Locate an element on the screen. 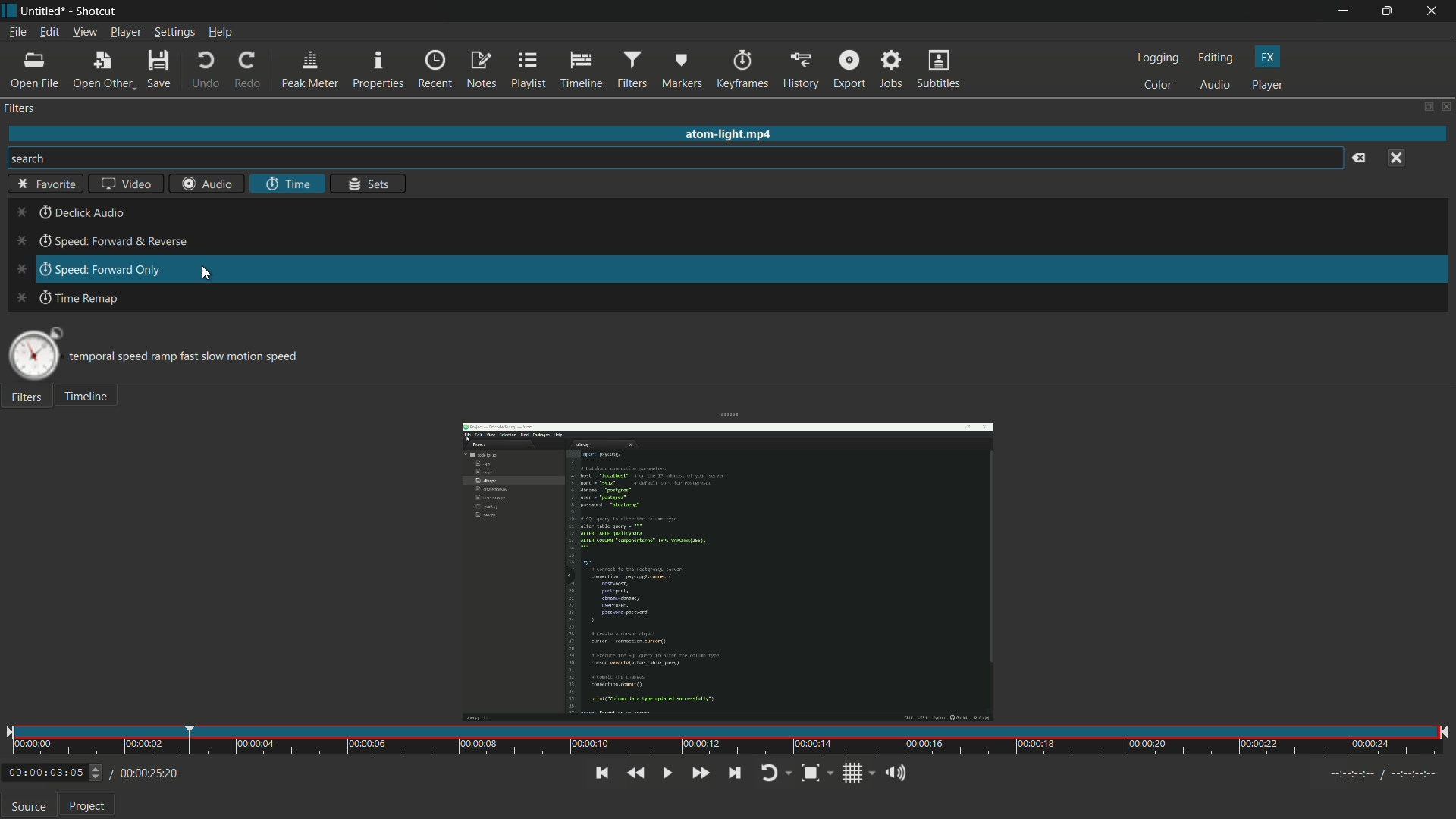 The width and height of the screenshot is (1456, 819). time is located at coordinates (730, 739).